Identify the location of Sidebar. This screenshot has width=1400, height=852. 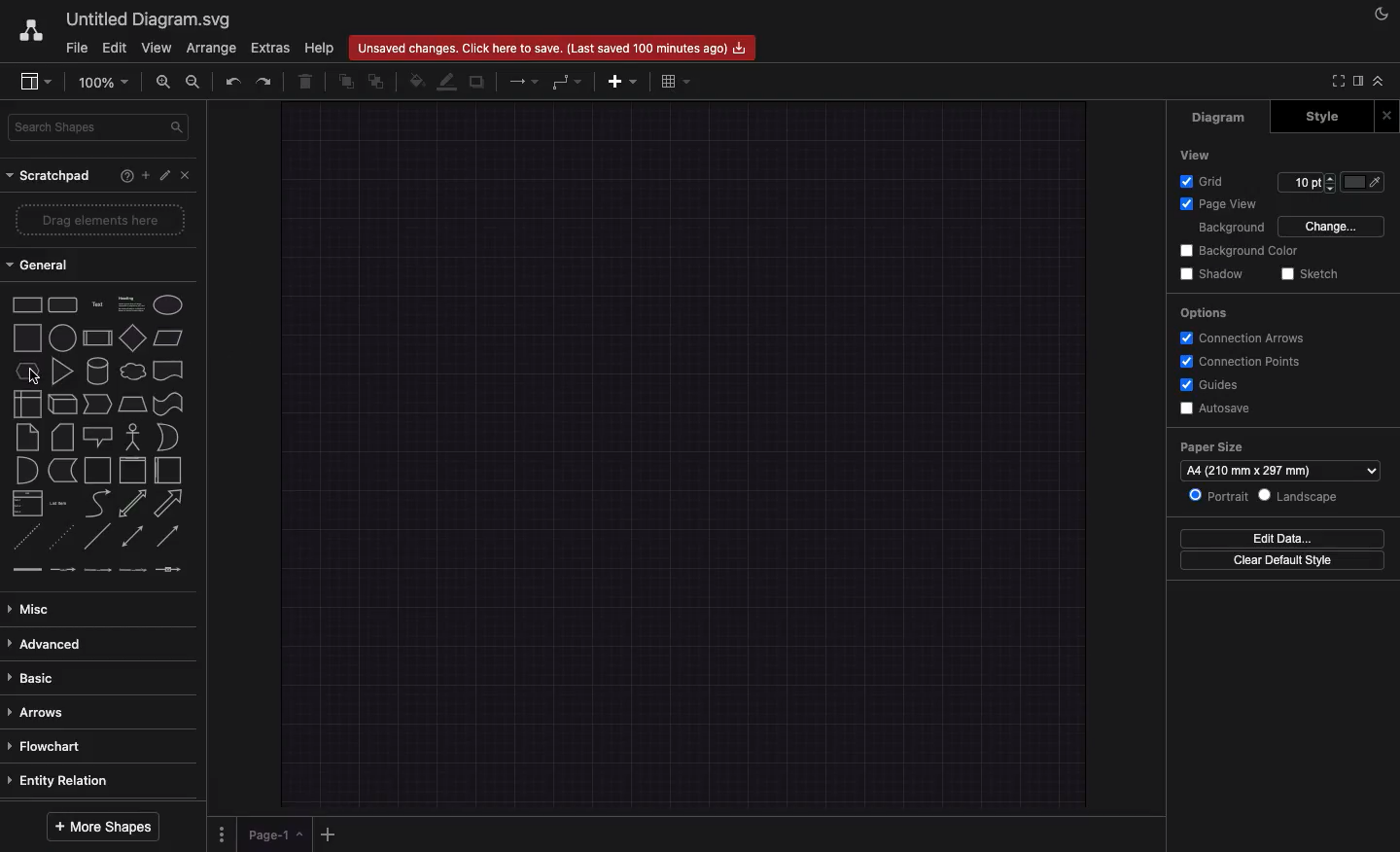
(34, 83).